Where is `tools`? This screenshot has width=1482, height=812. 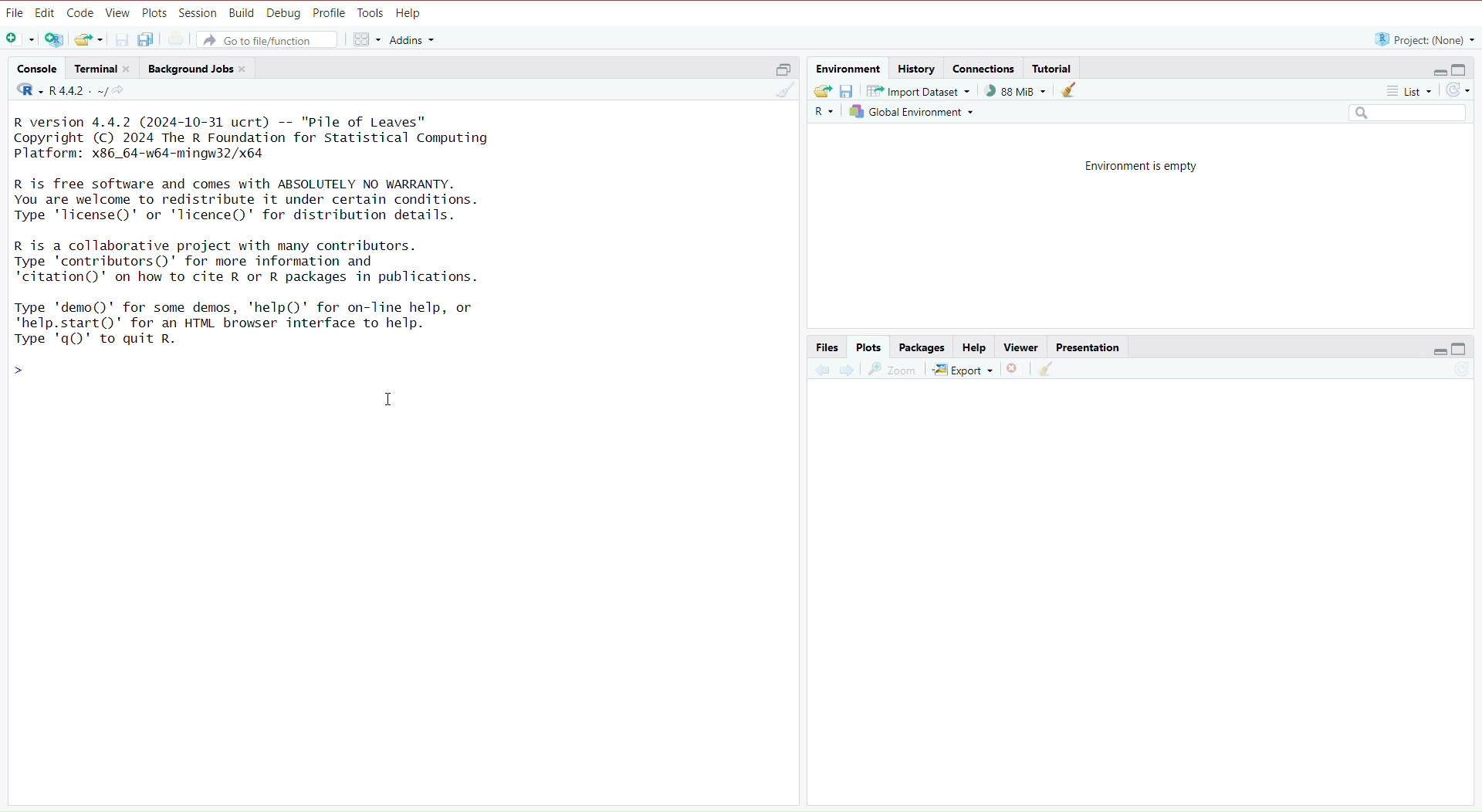
tools is located at coordinates (371, 13).